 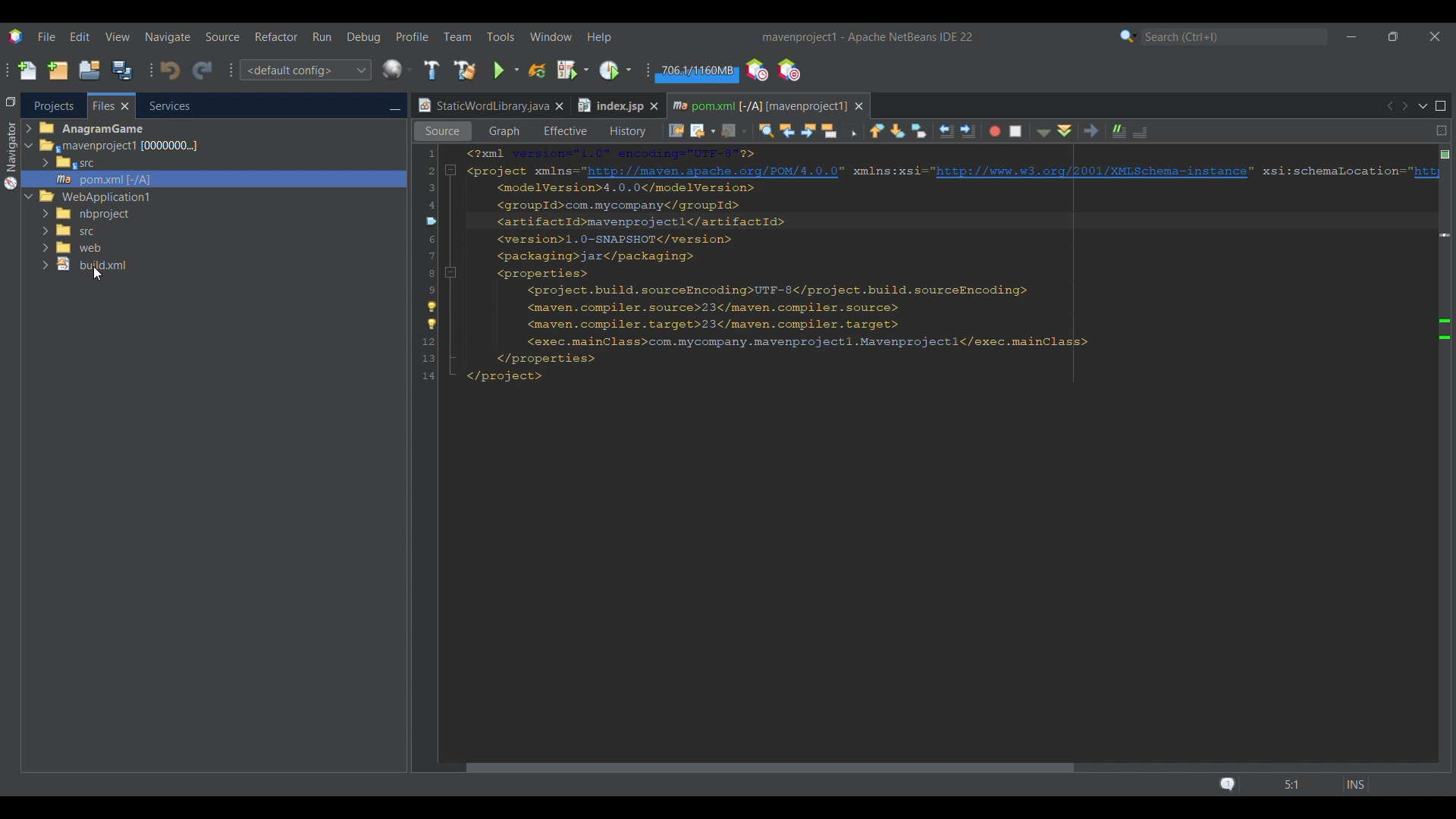 I want to click on Pause I/O checks, so click(x=788, y=70).